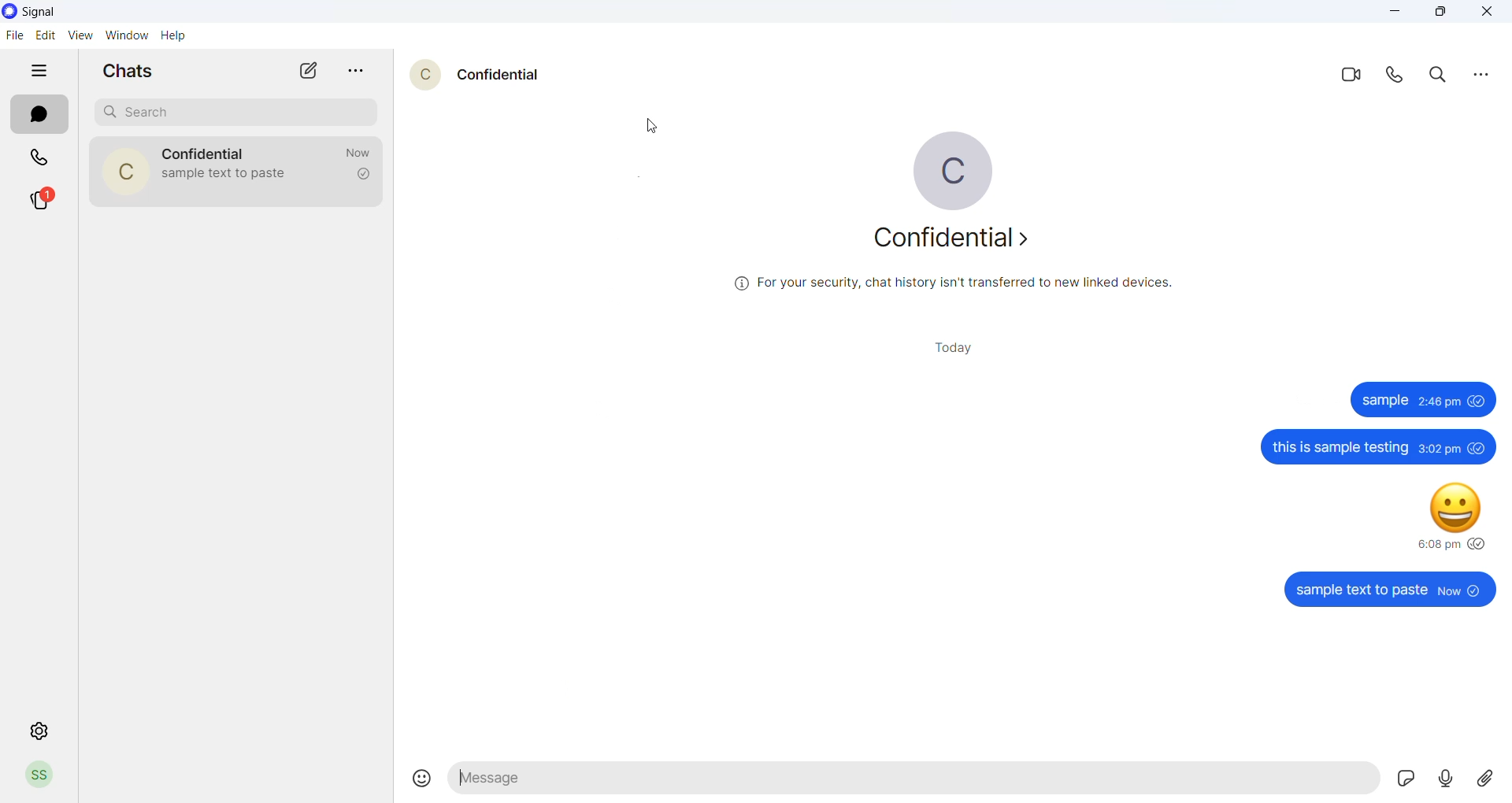 This screenshot has height=803, width=1512. Describe the element at coordinates (240, 111) in the screenshot. I see `search chat` at that location.